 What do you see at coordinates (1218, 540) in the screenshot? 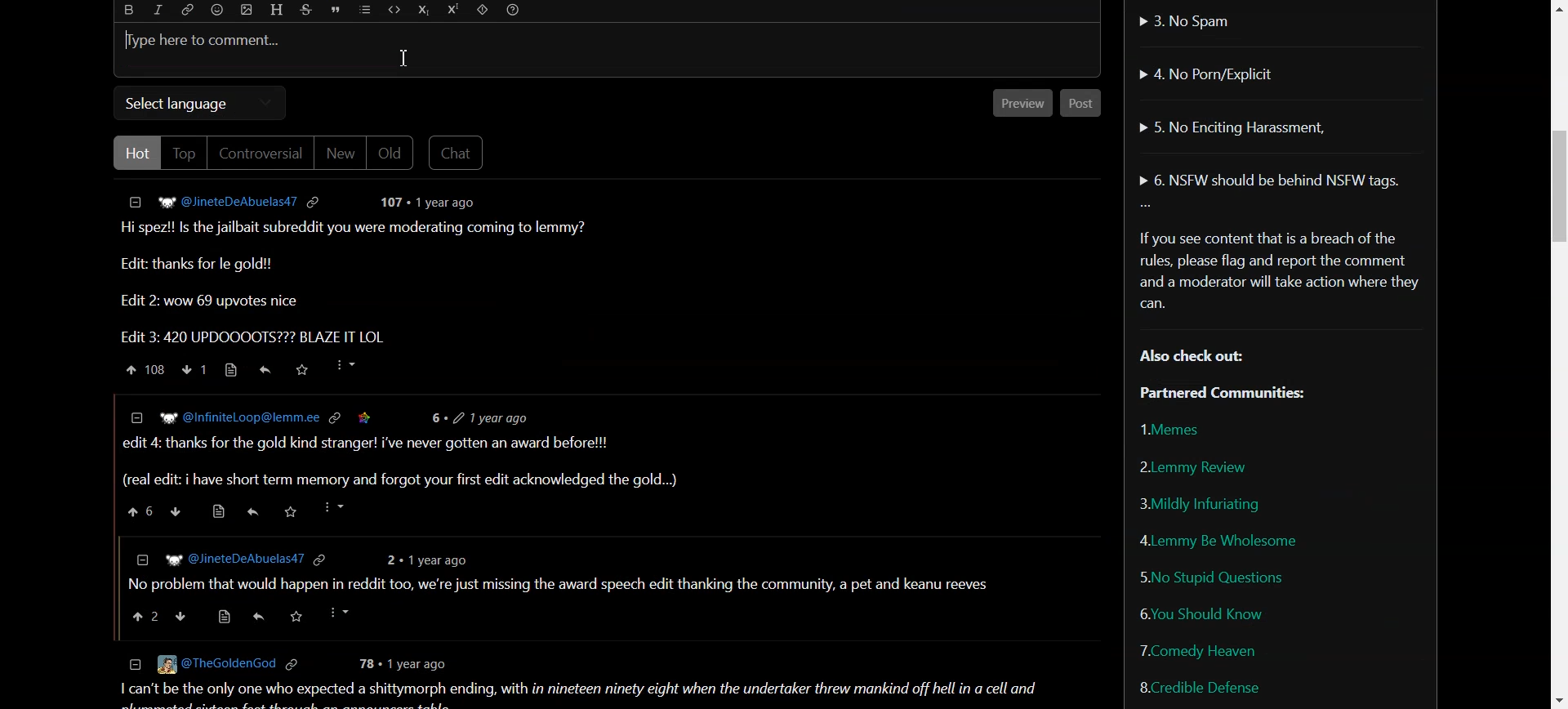
I see `Lemmy Be Wholesome` at bounding box center [1218, 540].